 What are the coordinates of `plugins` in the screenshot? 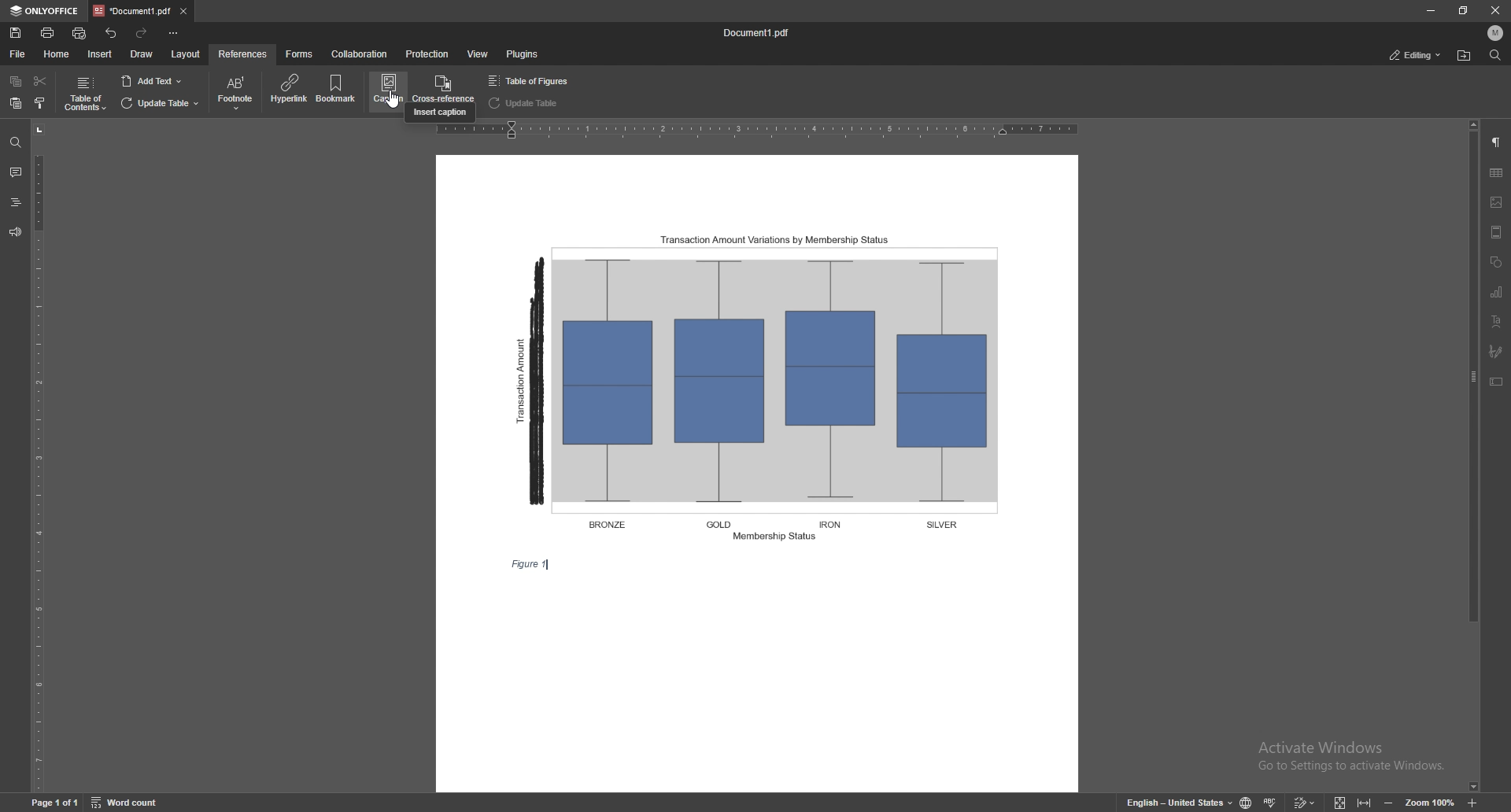 It's located at (521, 54).